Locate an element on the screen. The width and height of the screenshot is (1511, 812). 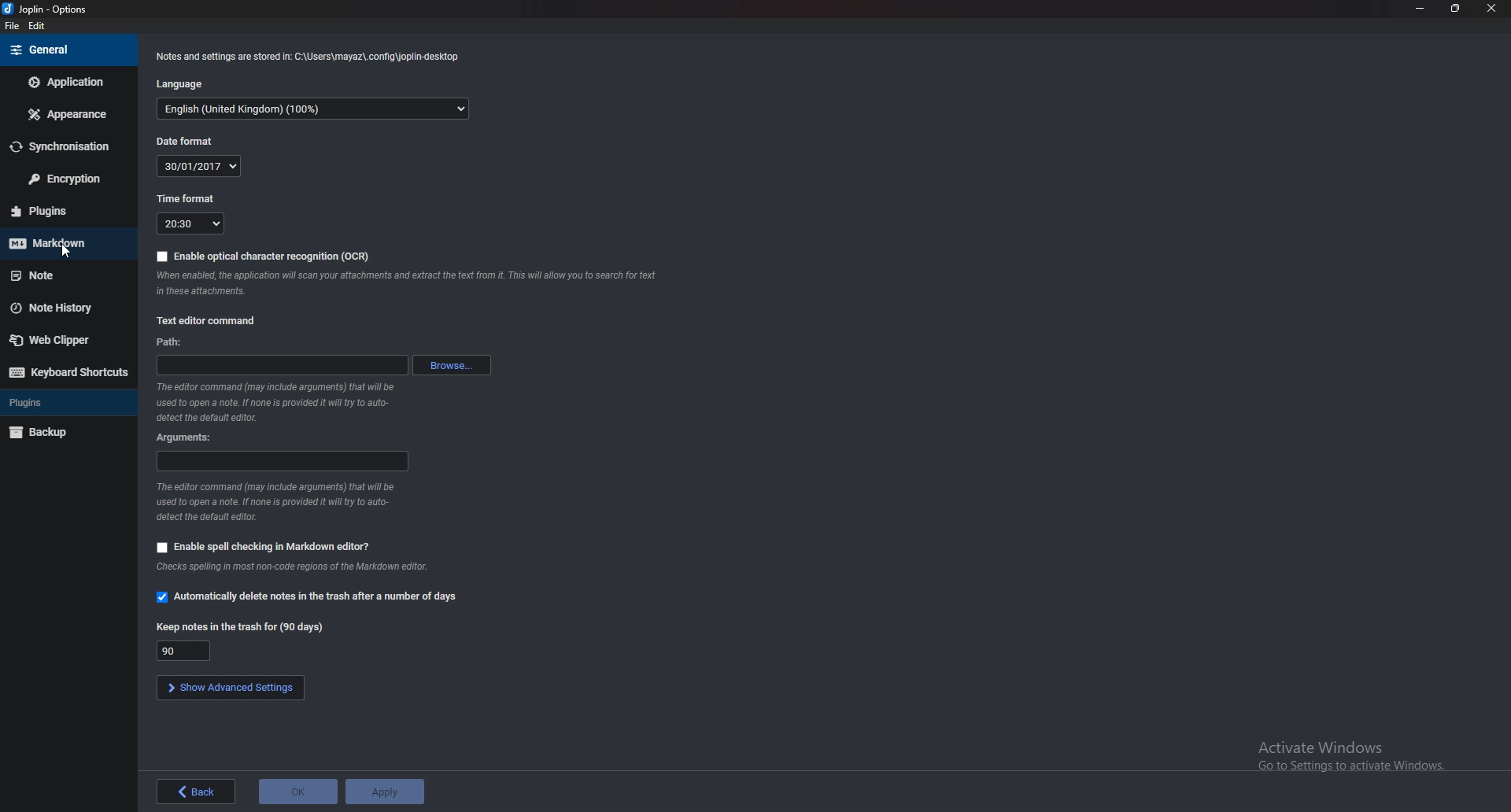
arguments is located at coordinates (278, 461).